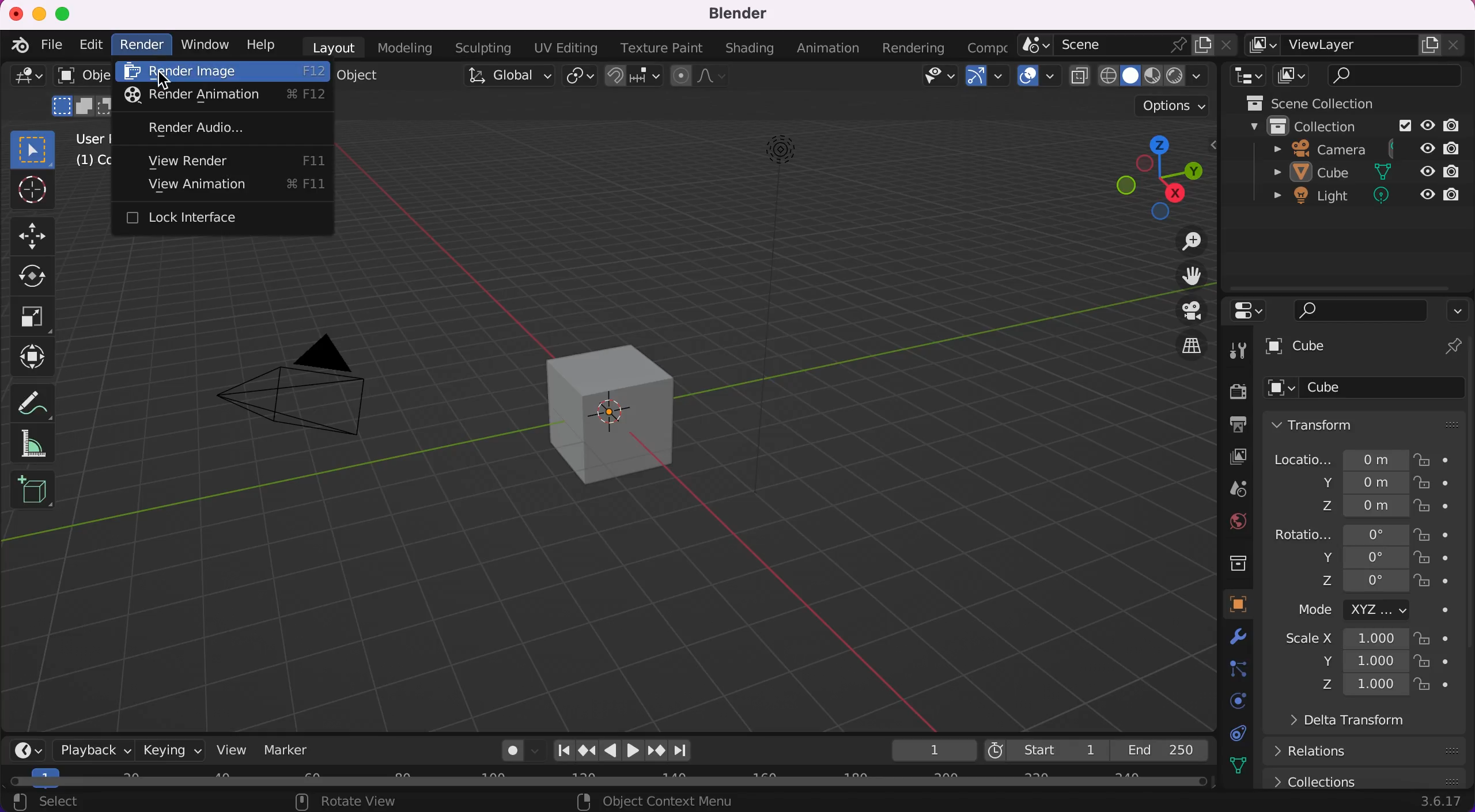 The height and width of the screenshot is (812, 1475). Describe the element at coordinates (1362, 661) in the screenshot. I see `y 1.000` at that location.